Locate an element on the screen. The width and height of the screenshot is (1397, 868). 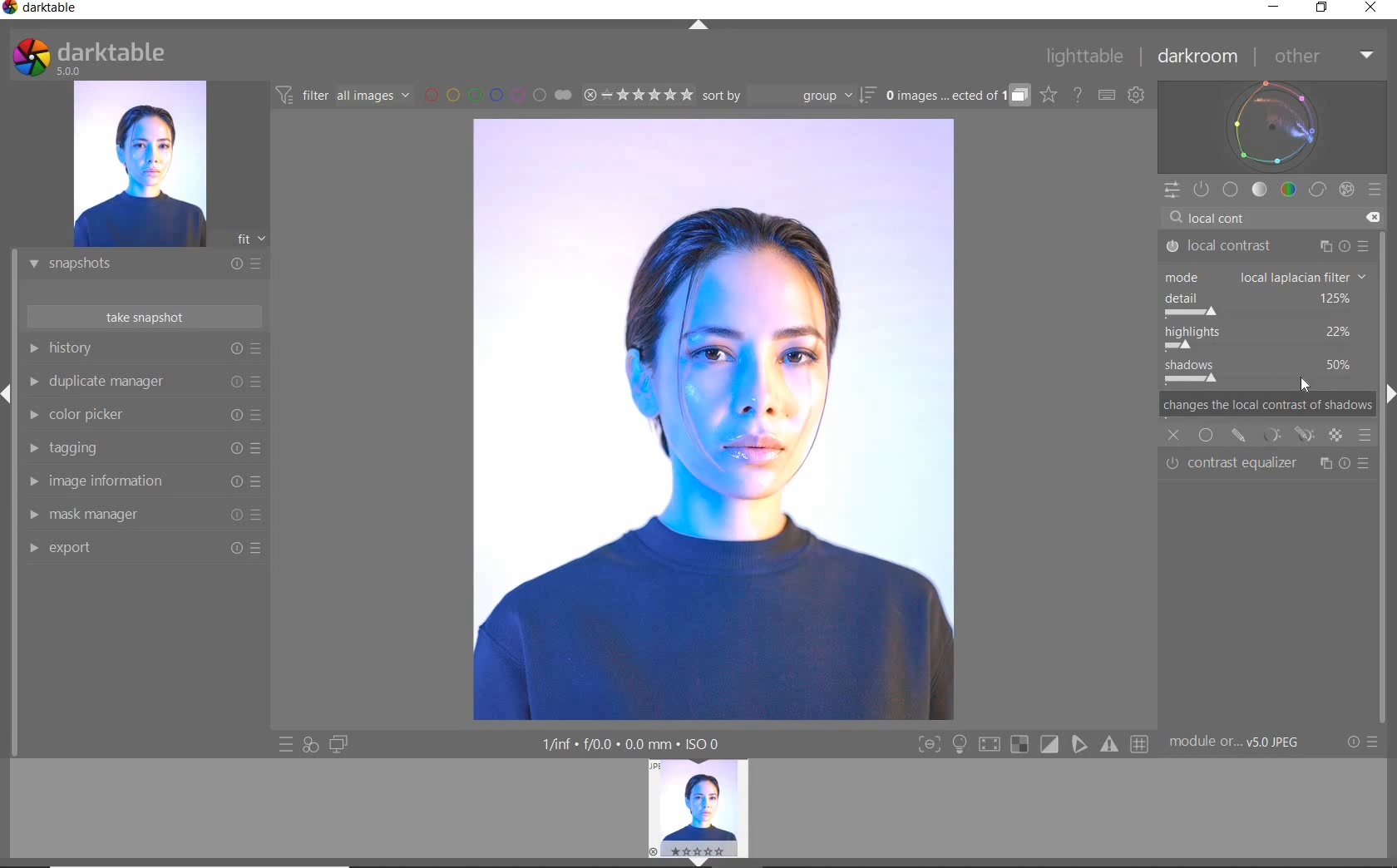
Clear is located at coordinates (1372, 218).